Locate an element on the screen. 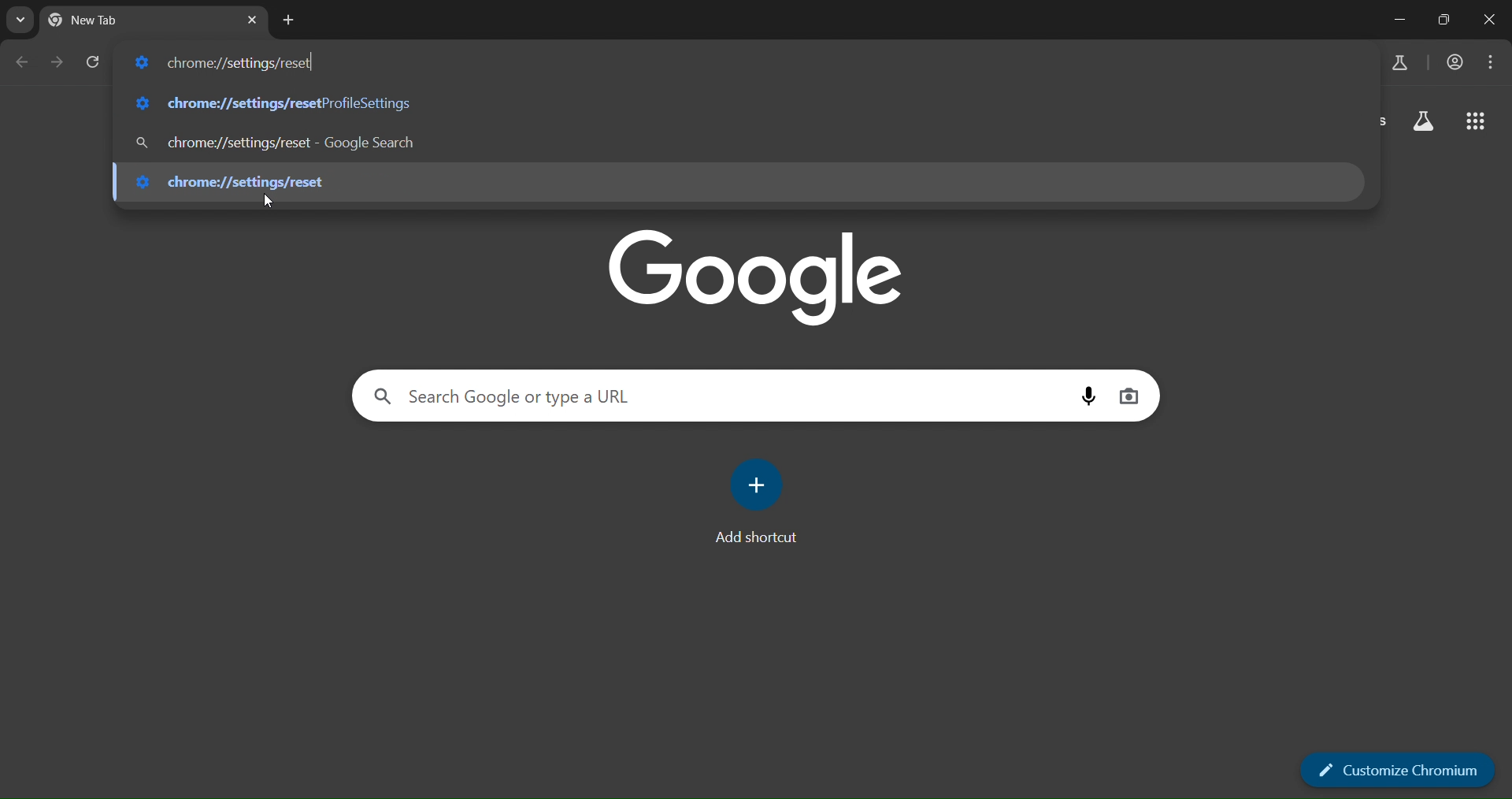 This screenshot has height=799, width=1512. Minimize is located at coordinates (1402, 19).